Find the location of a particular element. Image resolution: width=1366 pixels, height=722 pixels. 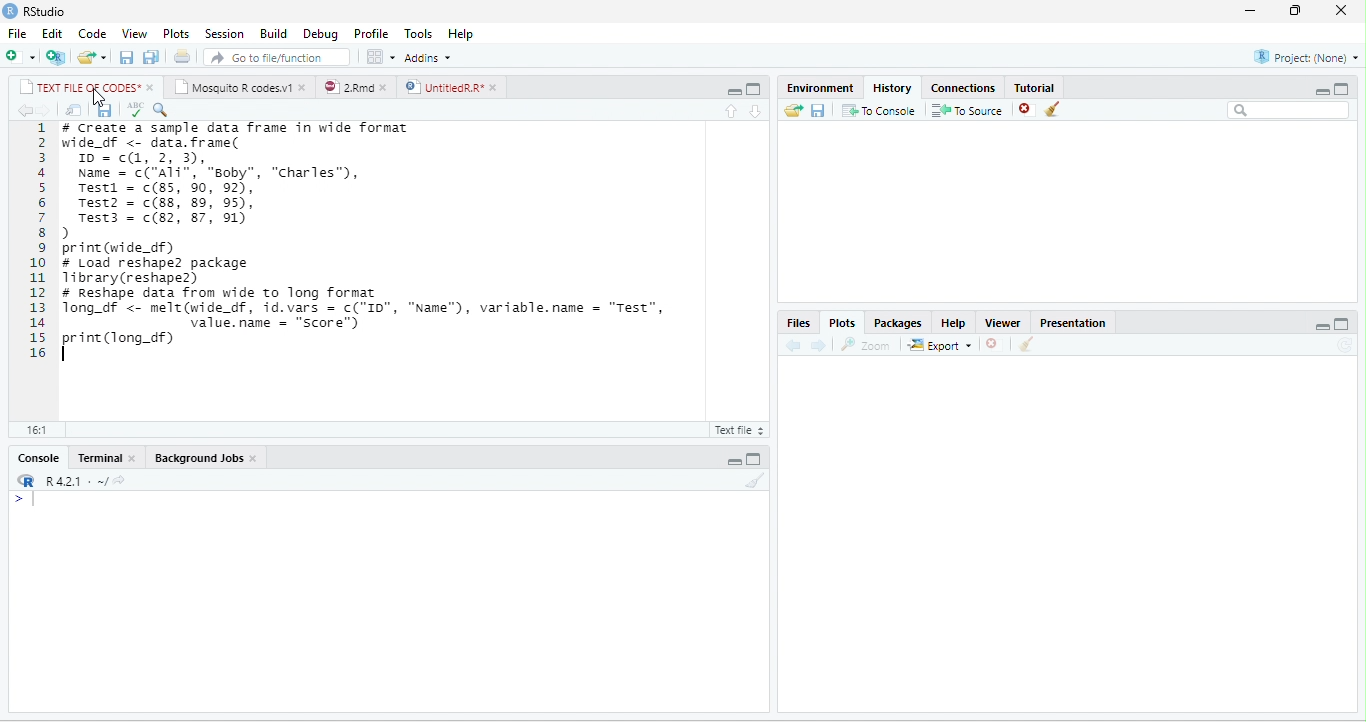

Terminal is located at coordinates (98, 457).